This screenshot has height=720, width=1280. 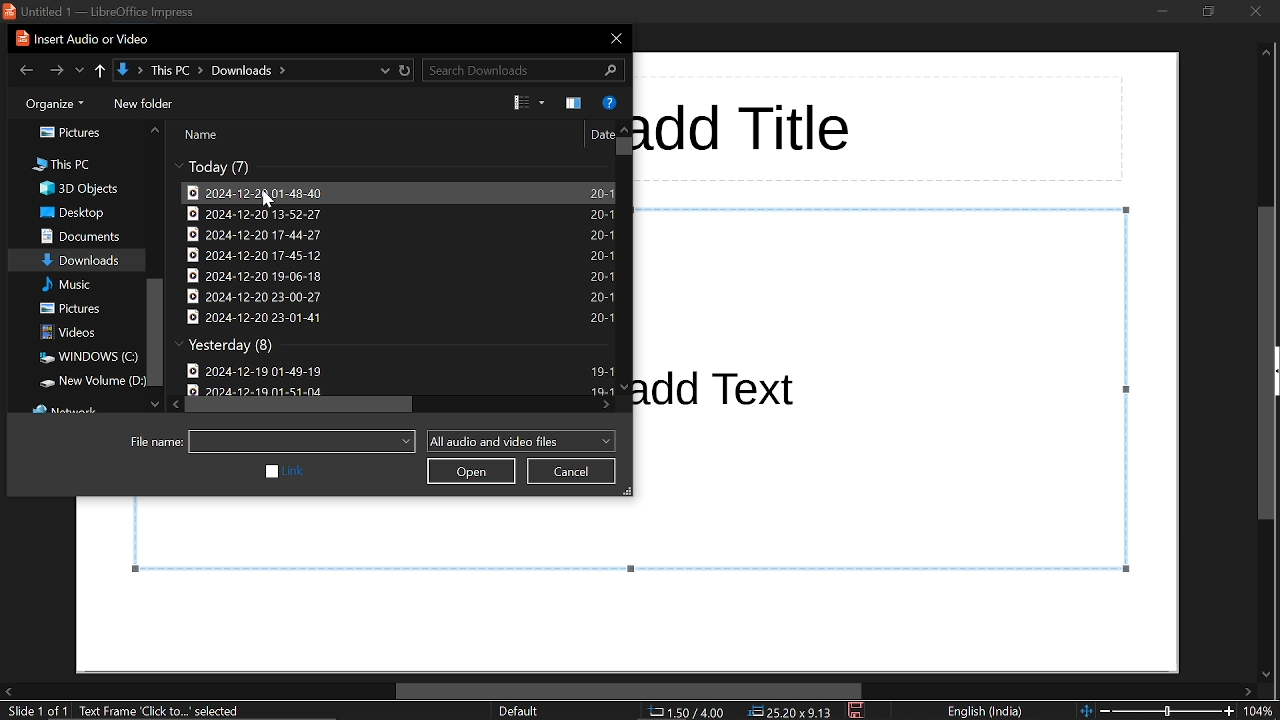 What do you see at coordinates (154, 442) in the screenshot?
I see `file name` at bounding box center [154, 442].